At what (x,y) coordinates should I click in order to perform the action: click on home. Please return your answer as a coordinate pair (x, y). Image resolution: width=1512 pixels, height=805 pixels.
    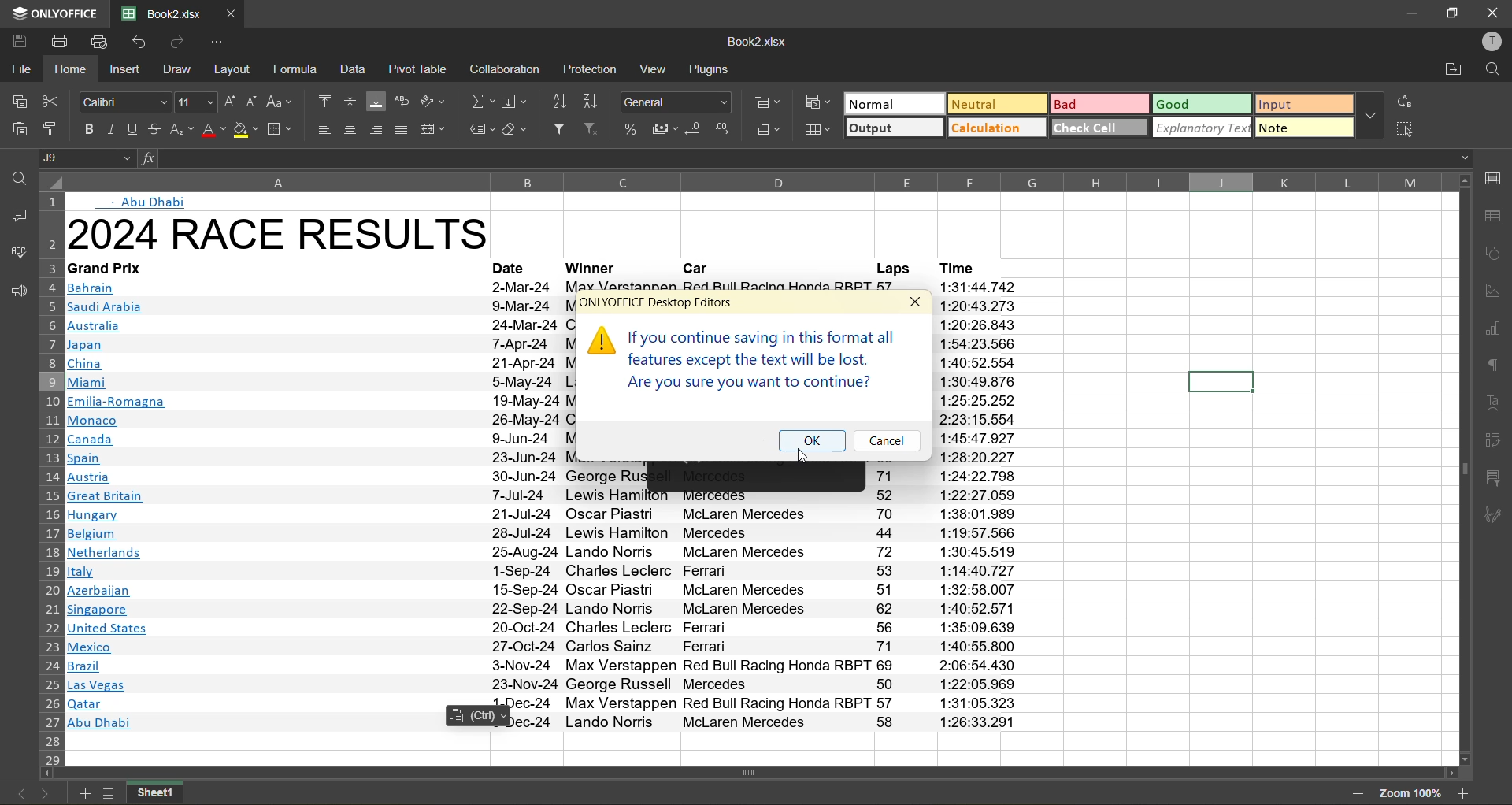
    Looking at the image, I should click on (75, 71).